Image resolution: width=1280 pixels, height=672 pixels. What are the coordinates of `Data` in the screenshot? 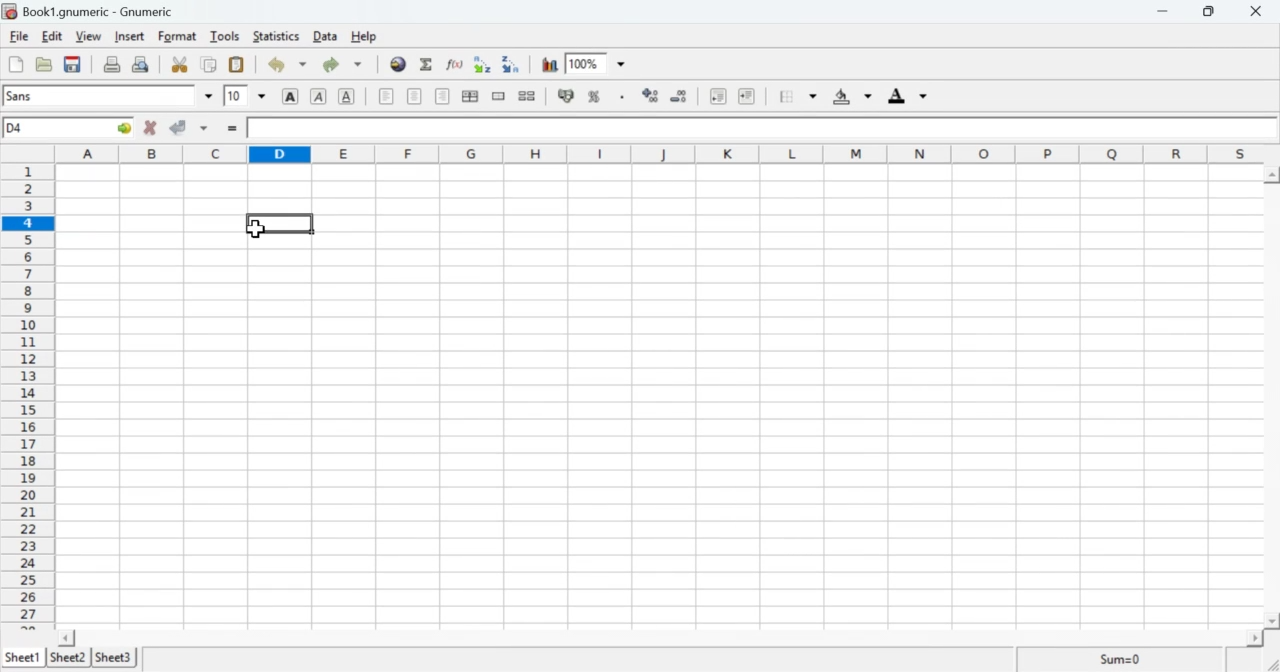 It's located at (327, 37).